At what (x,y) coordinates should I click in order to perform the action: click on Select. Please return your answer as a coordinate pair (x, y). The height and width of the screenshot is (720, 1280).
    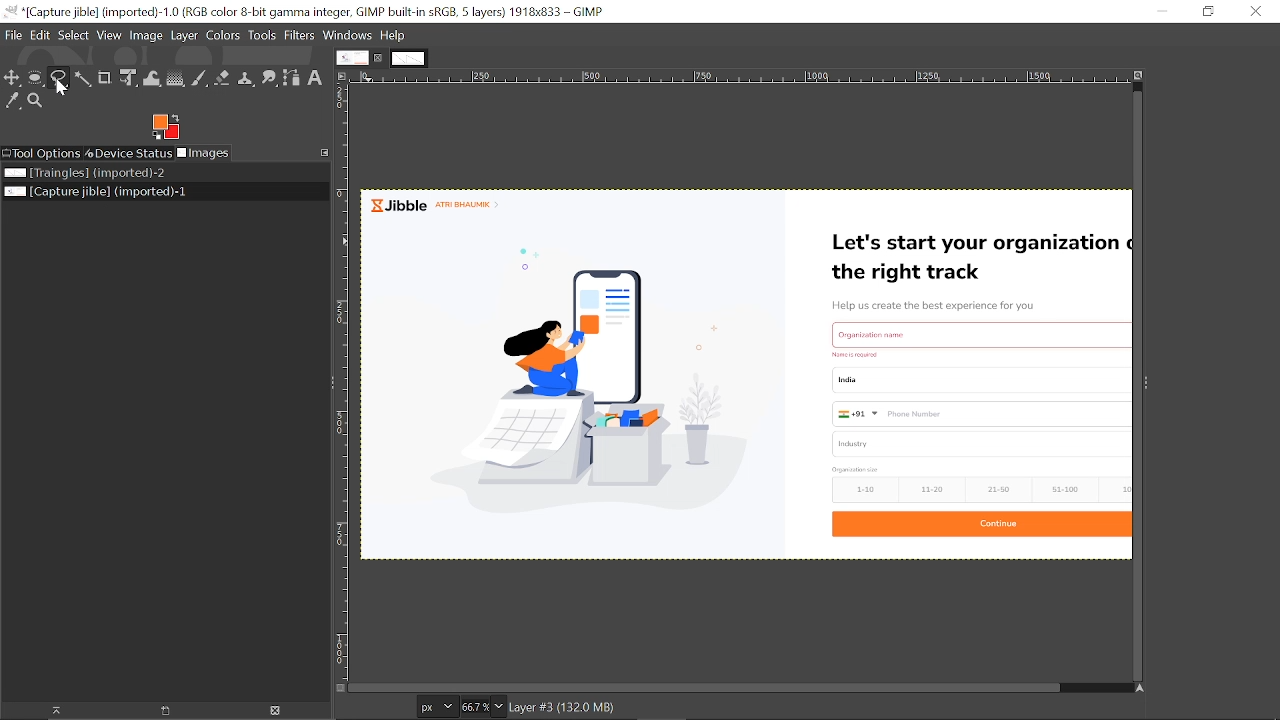
    Looking at the image, I should click on (74, 35).